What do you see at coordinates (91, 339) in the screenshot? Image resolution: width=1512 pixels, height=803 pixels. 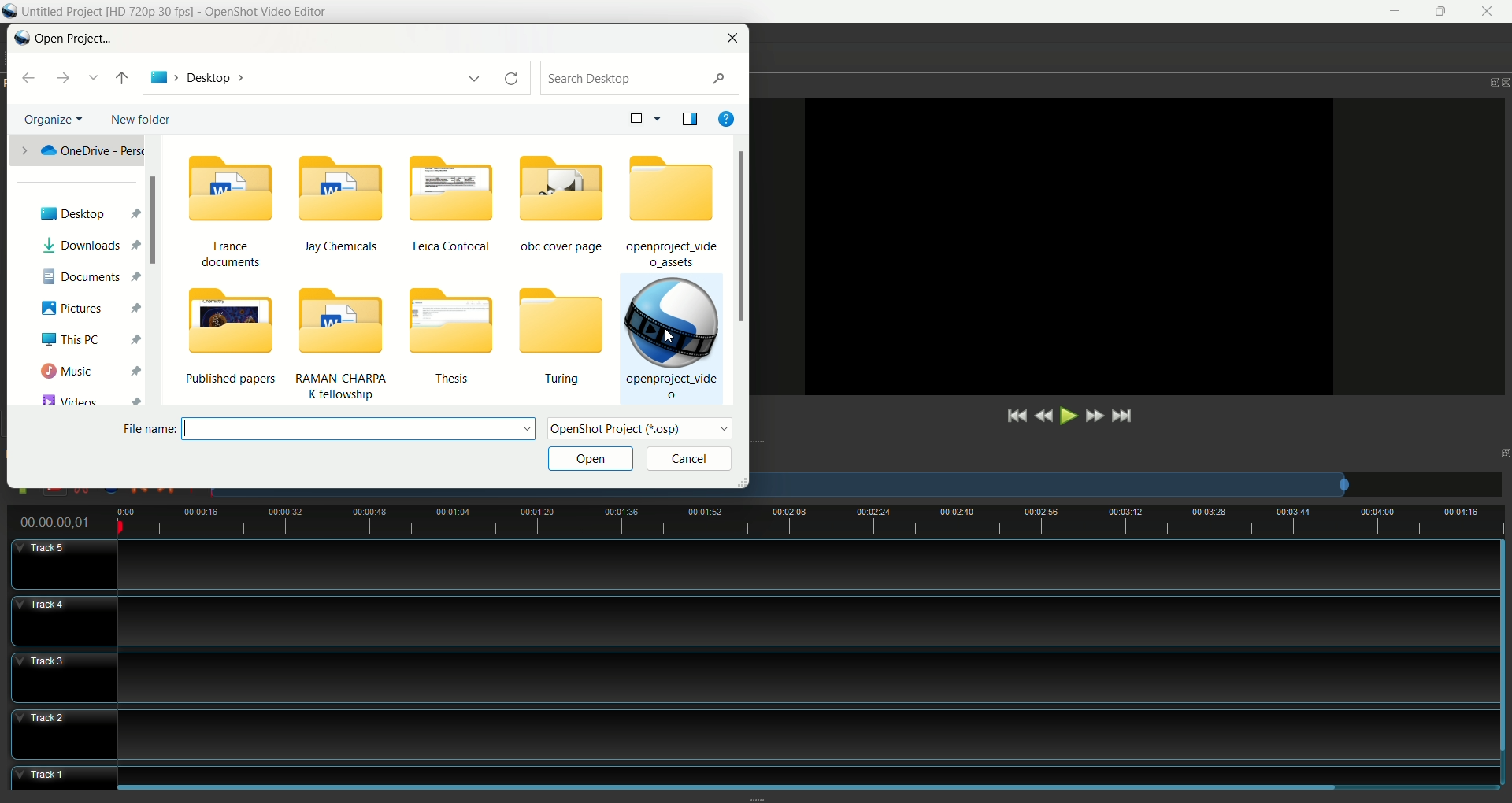 I see `this PC` at bounding box center [91, 339].